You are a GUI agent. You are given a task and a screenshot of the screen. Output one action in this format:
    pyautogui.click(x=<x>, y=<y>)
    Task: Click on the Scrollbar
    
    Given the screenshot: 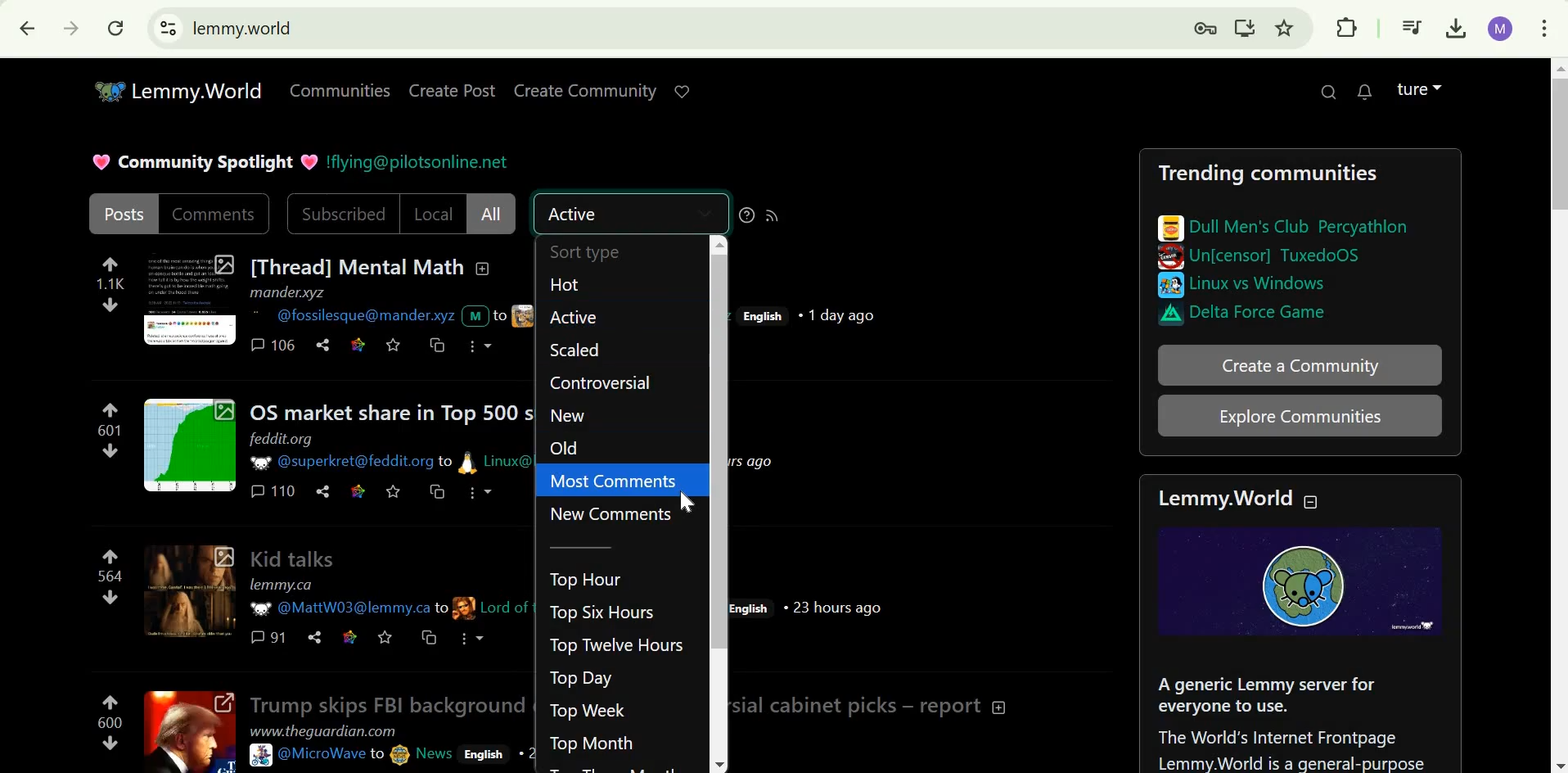 What is the action you would take?
    pyautogui.click(x=1558, y=416)
    